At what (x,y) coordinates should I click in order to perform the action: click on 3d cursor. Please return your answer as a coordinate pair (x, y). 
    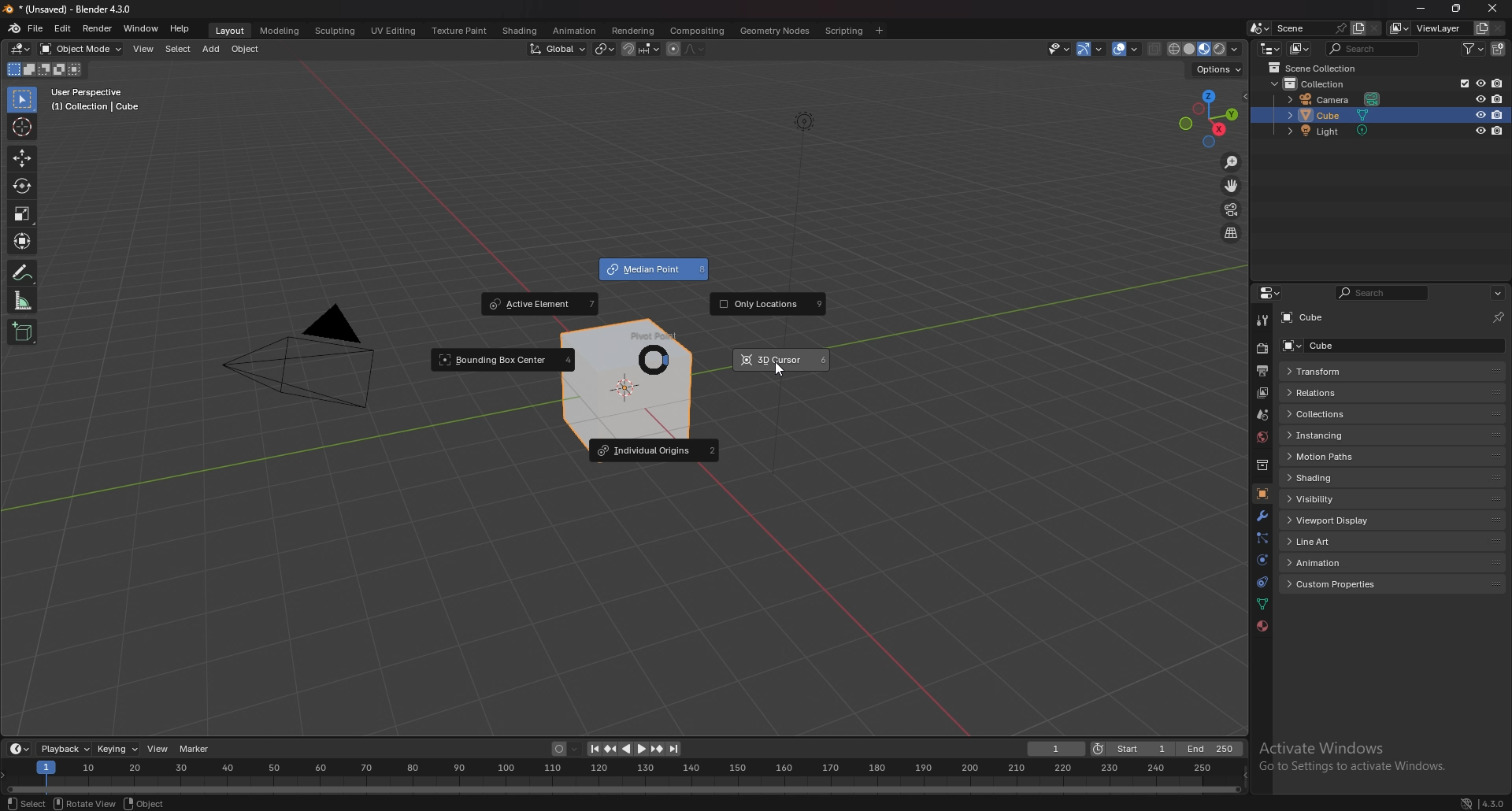
    Looking at the image, I should click on (784, 358).